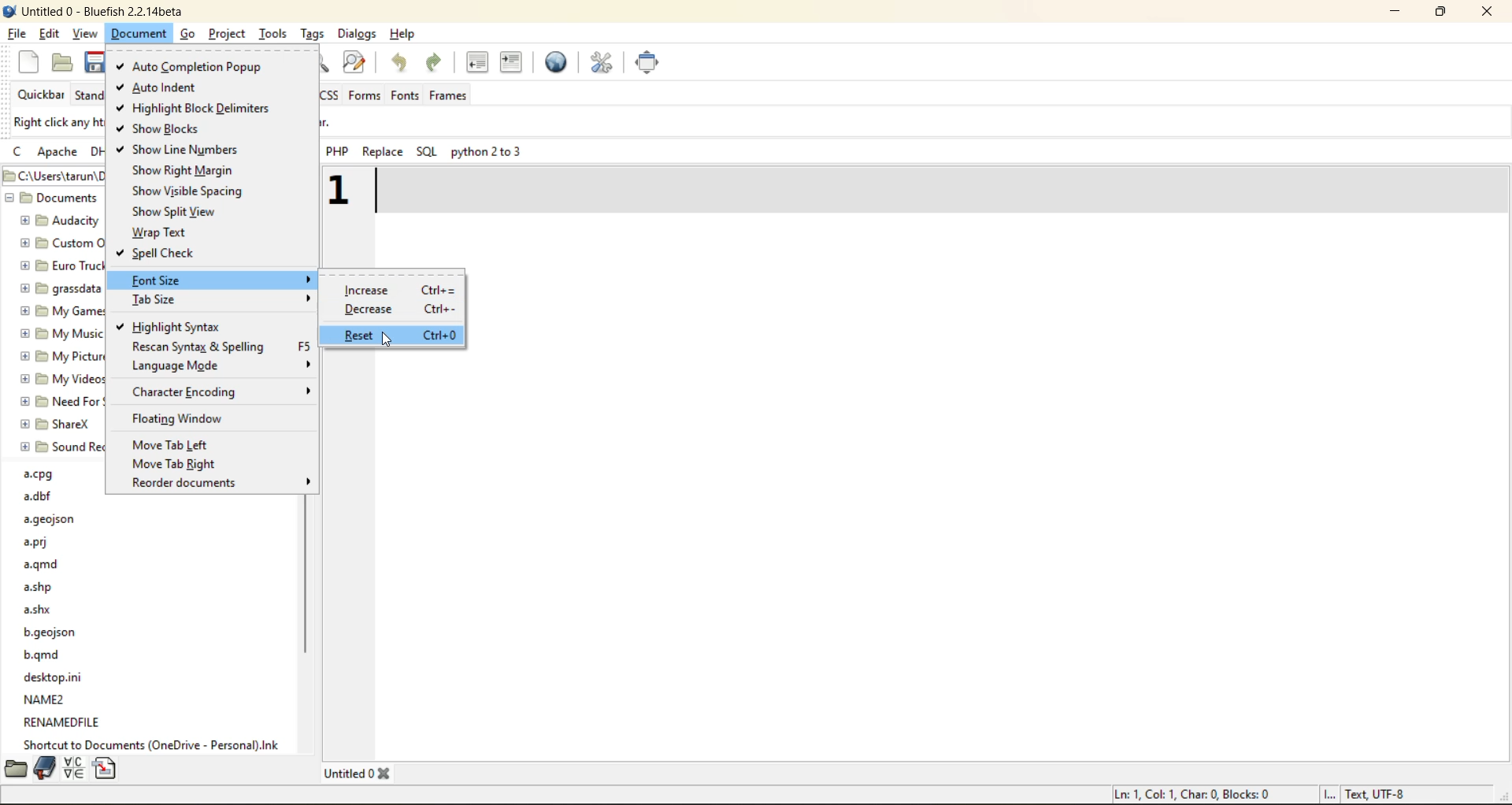  What do you see at coordinates (59, 447) in the screenshot?
I see `sound recordings` at bounding box center [59, 447].